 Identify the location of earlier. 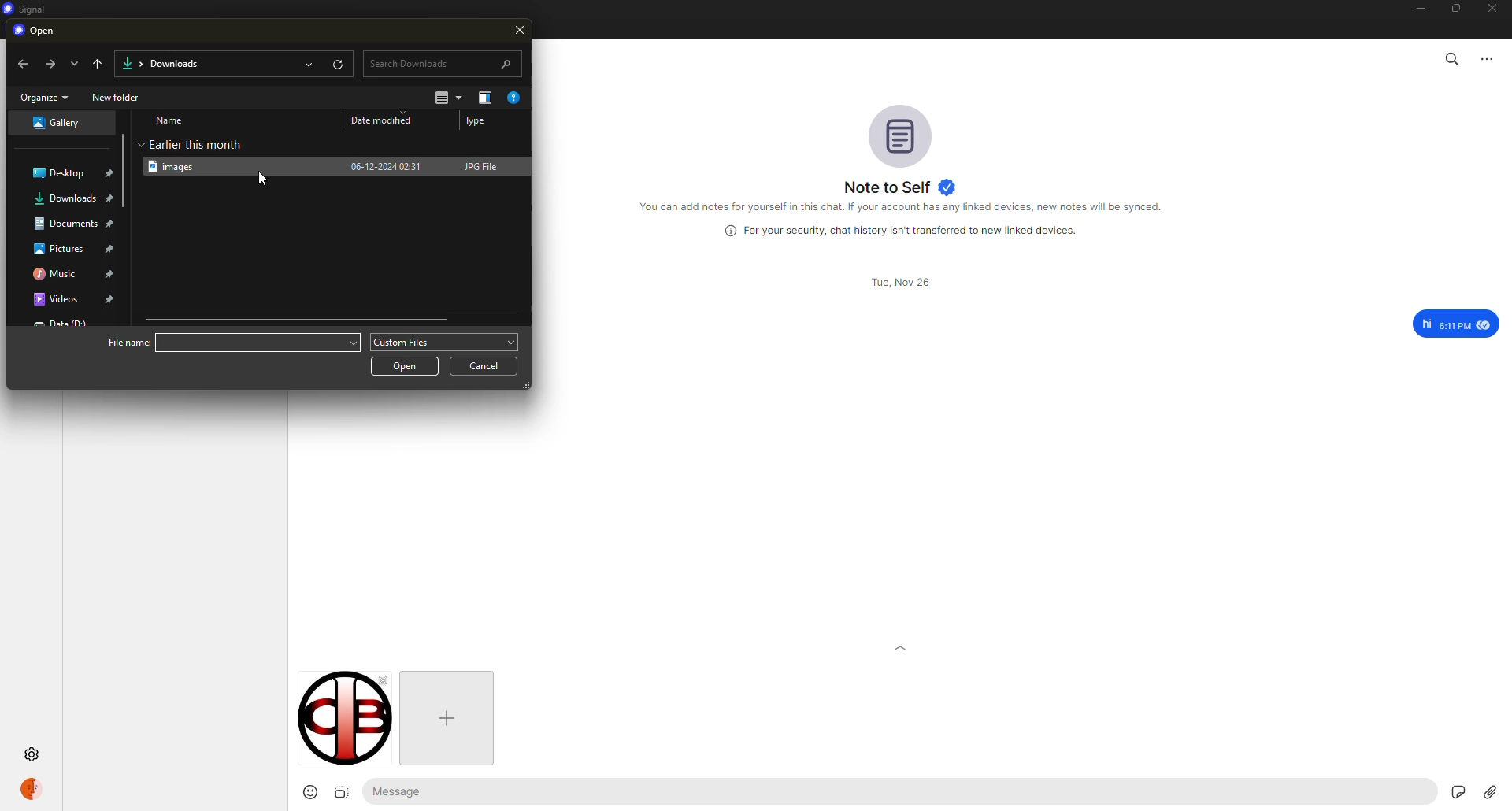
(195, 143).